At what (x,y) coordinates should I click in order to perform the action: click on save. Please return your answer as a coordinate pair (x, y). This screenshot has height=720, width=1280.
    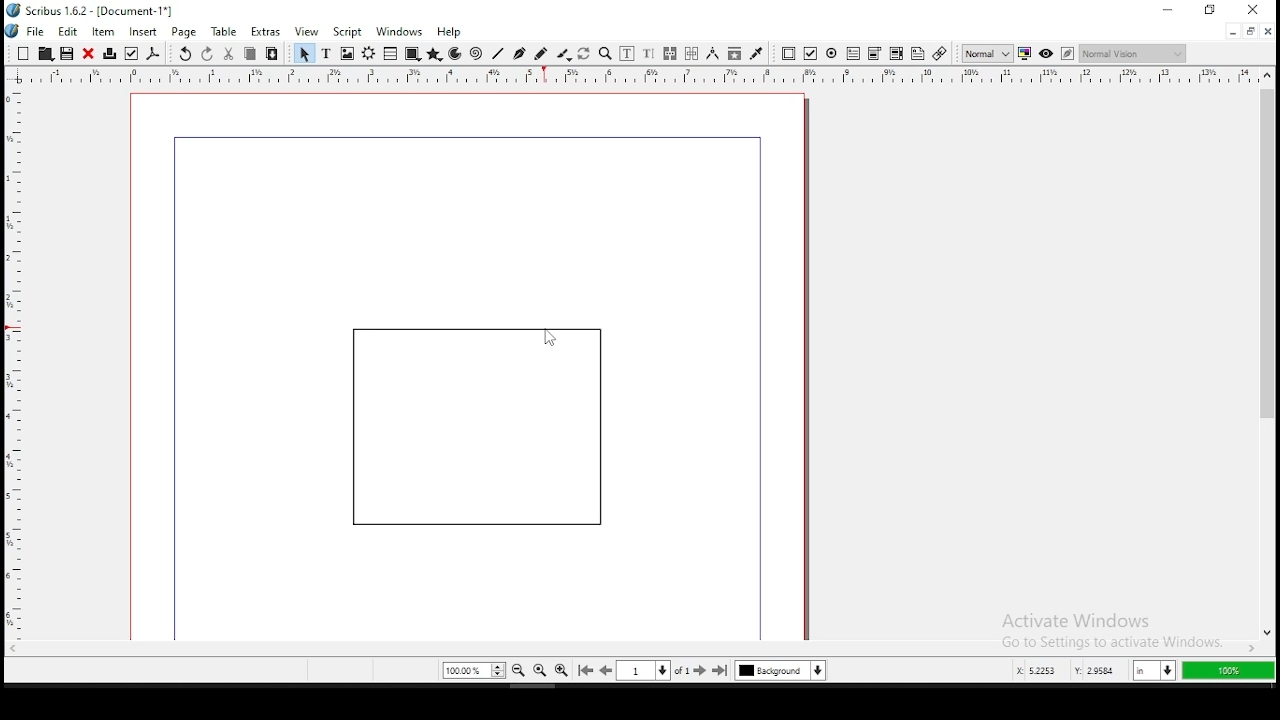
    Looking at the image, I should click on (66, 53).